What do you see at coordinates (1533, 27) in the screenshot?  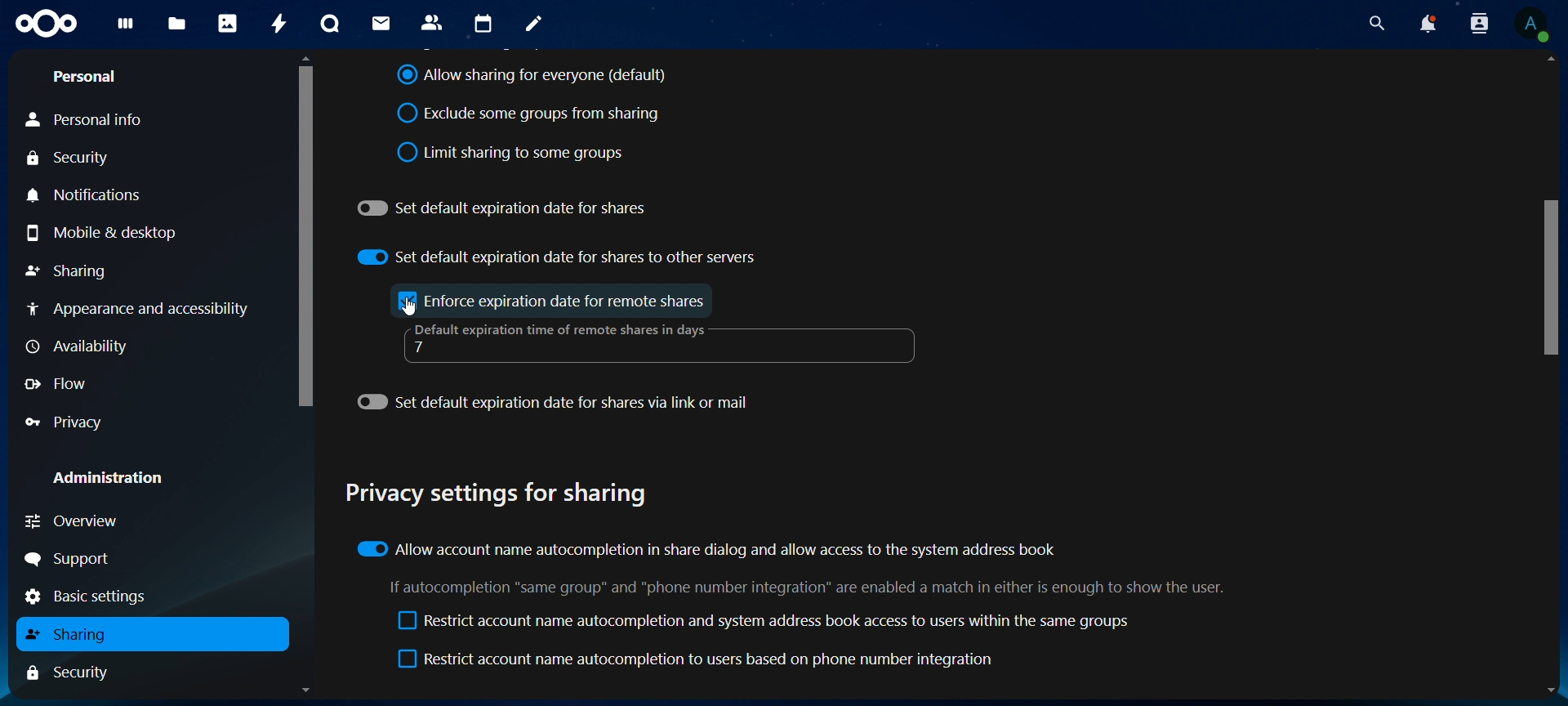 I see `view profile` at bounding box center [1533, 27].